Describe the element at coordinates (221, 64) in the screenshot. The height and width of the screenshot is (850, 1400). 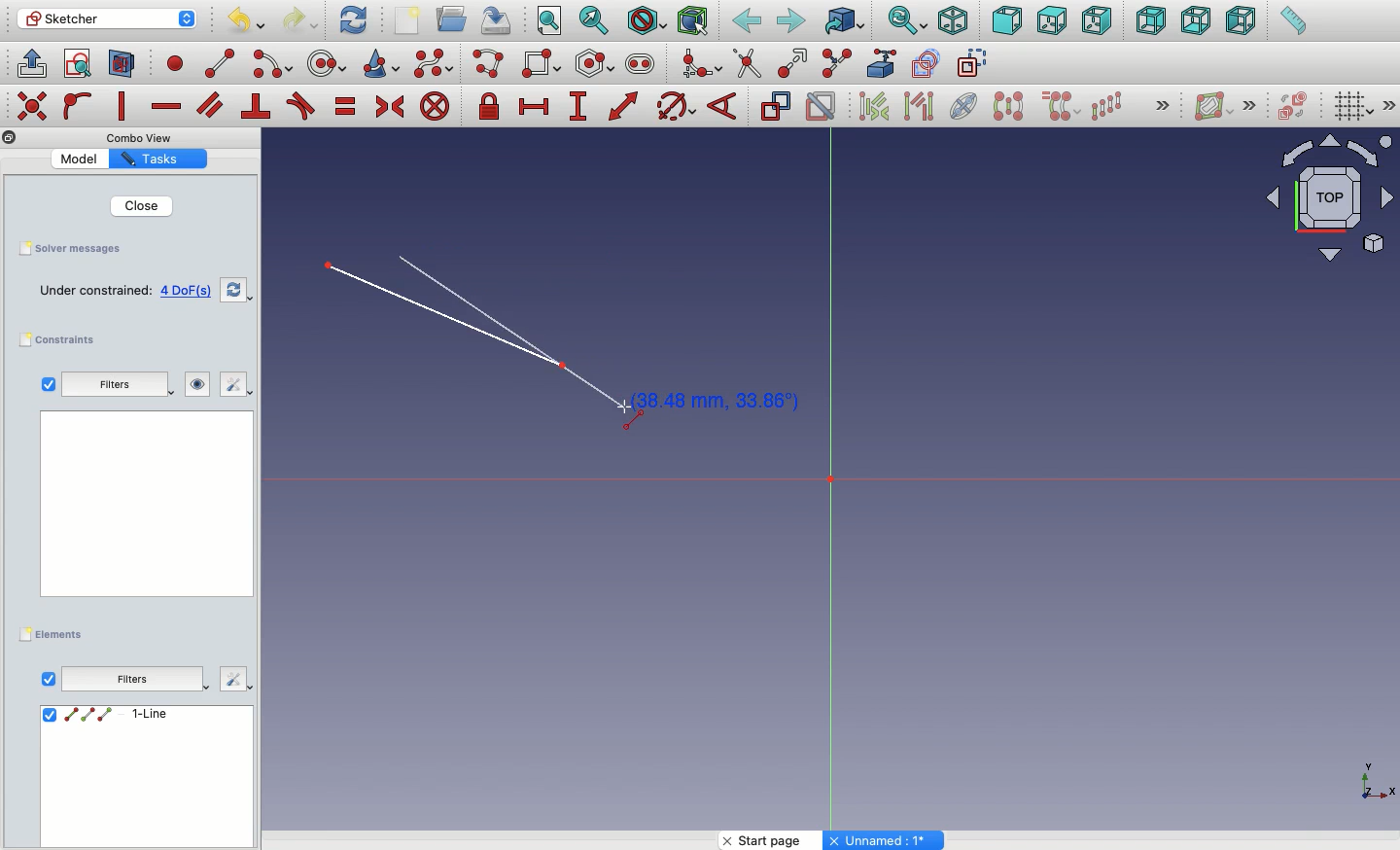
I see `line` at that location.